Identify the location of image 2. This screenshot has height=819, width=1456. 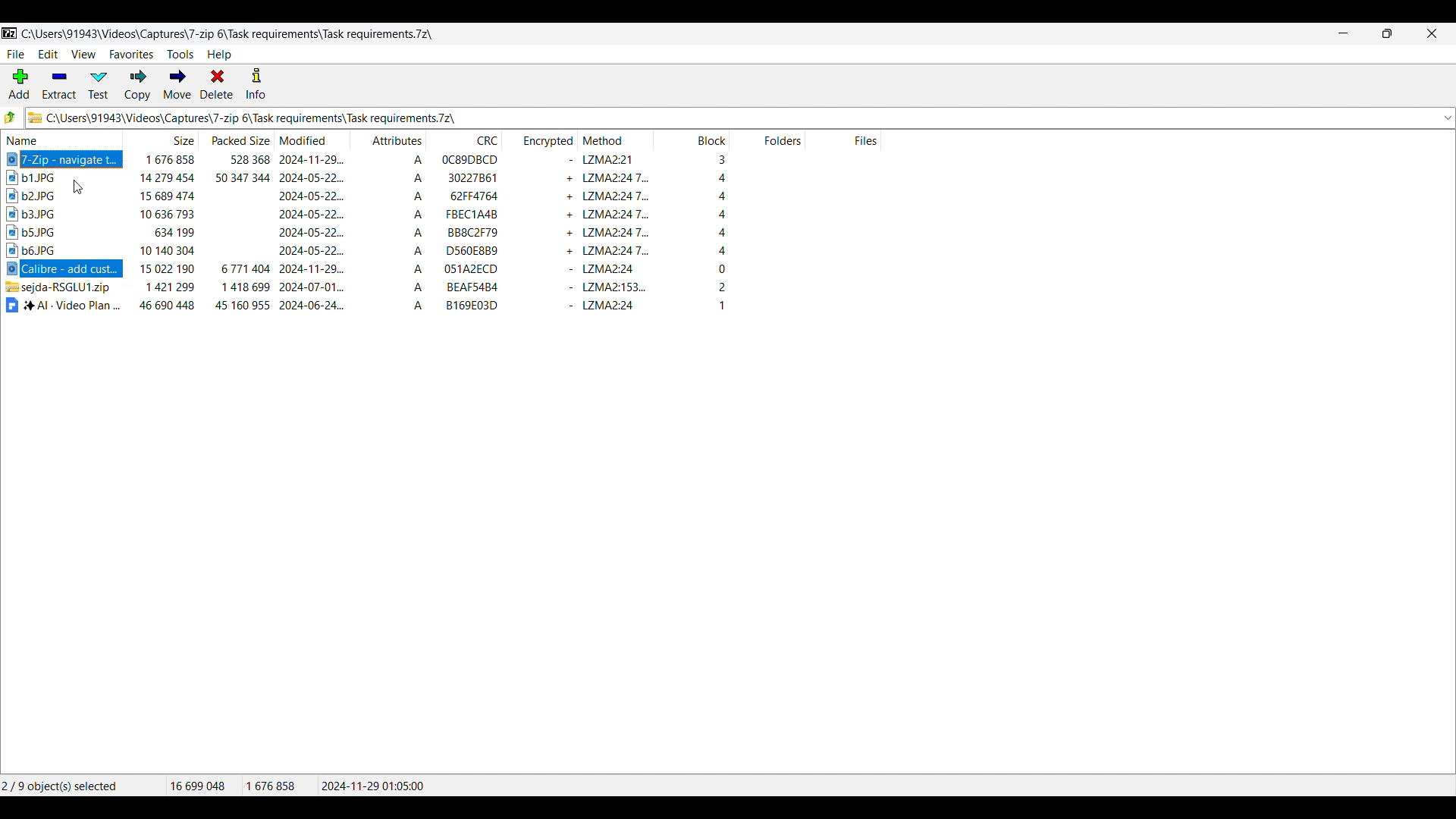
(49, 195).